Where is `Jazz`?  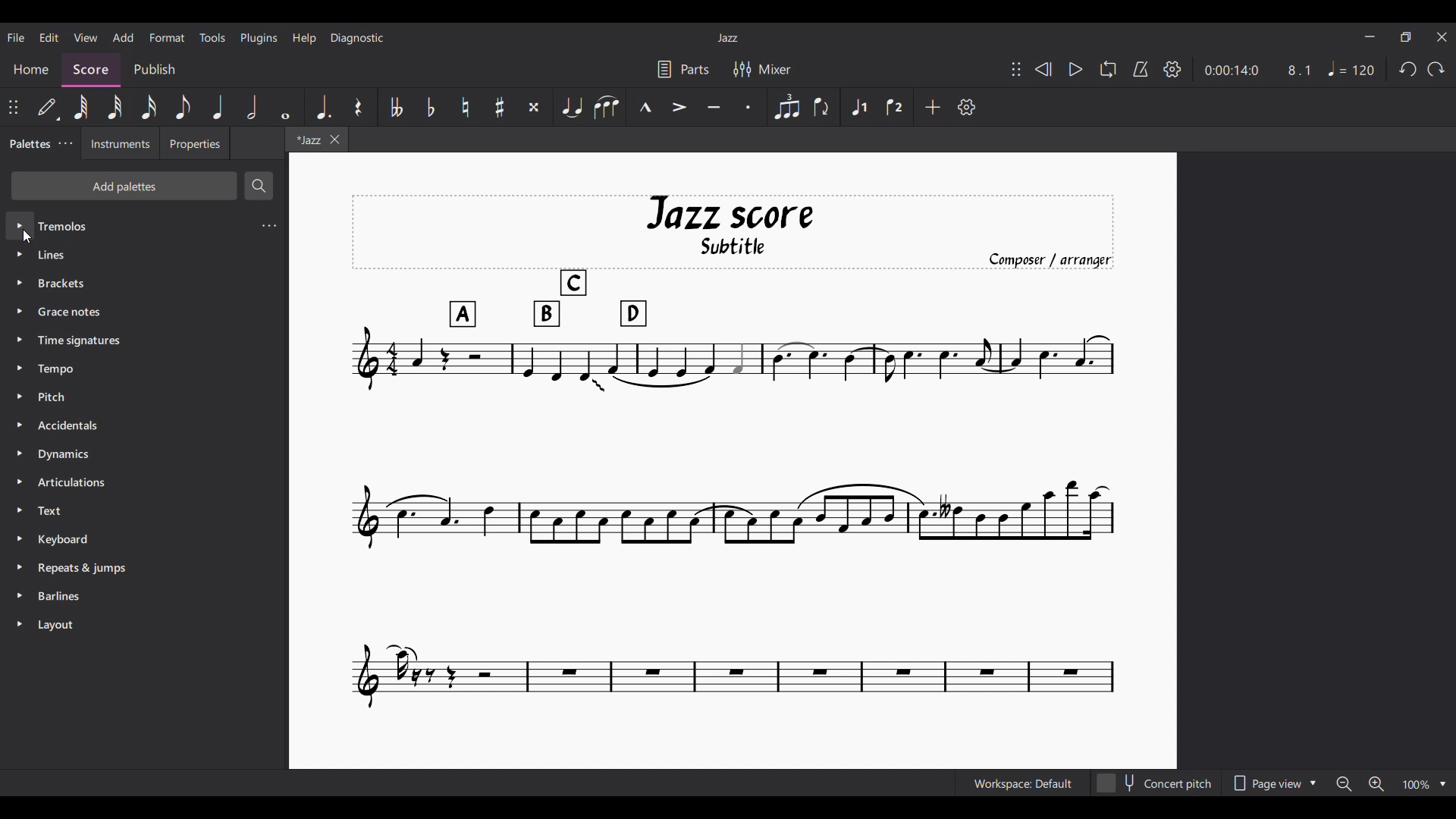 Jazz is located at coordinates (728, 37).